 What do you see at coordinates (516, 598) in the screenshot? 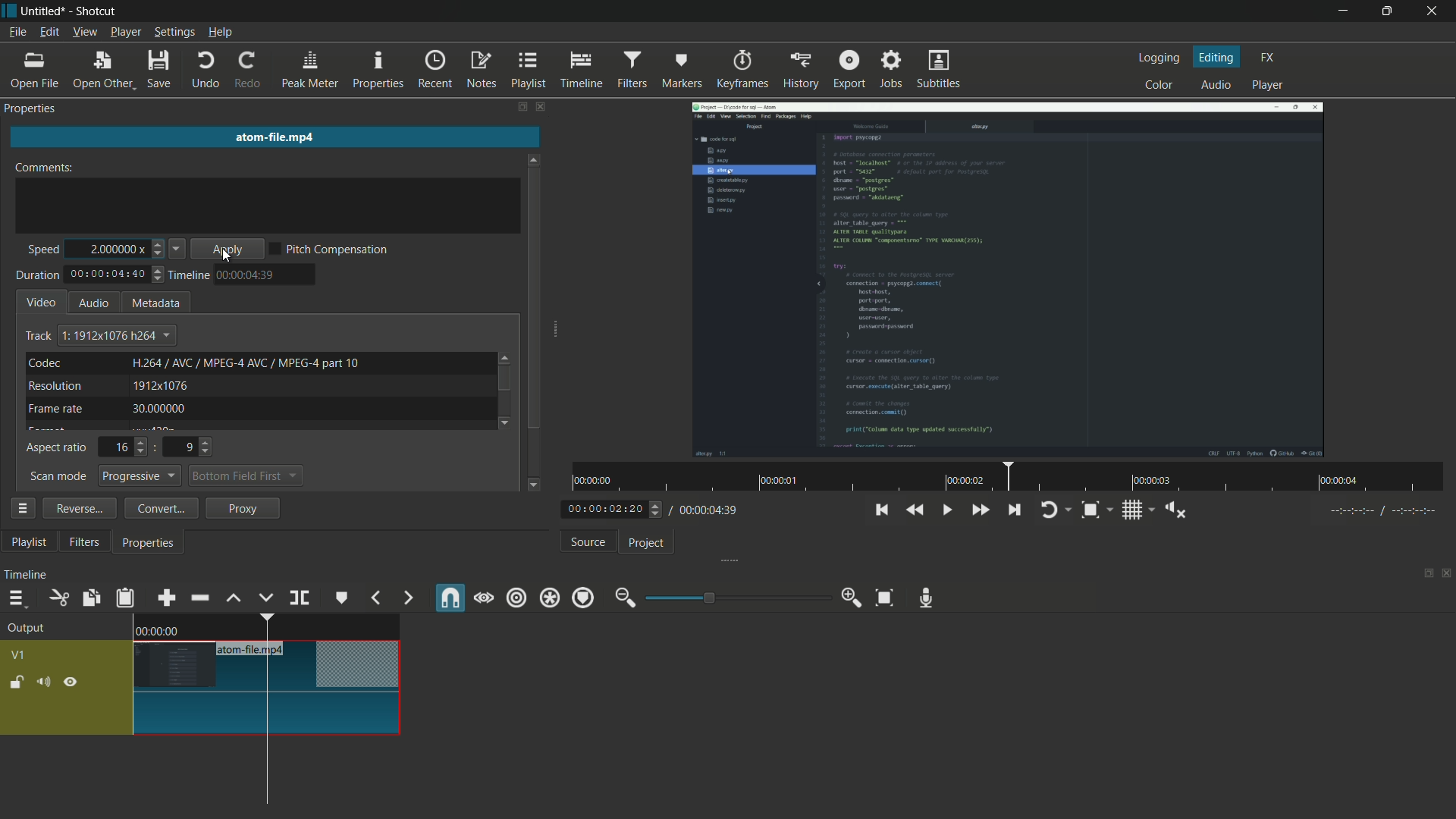
I see `ripple` at bounding box center [516, 598].